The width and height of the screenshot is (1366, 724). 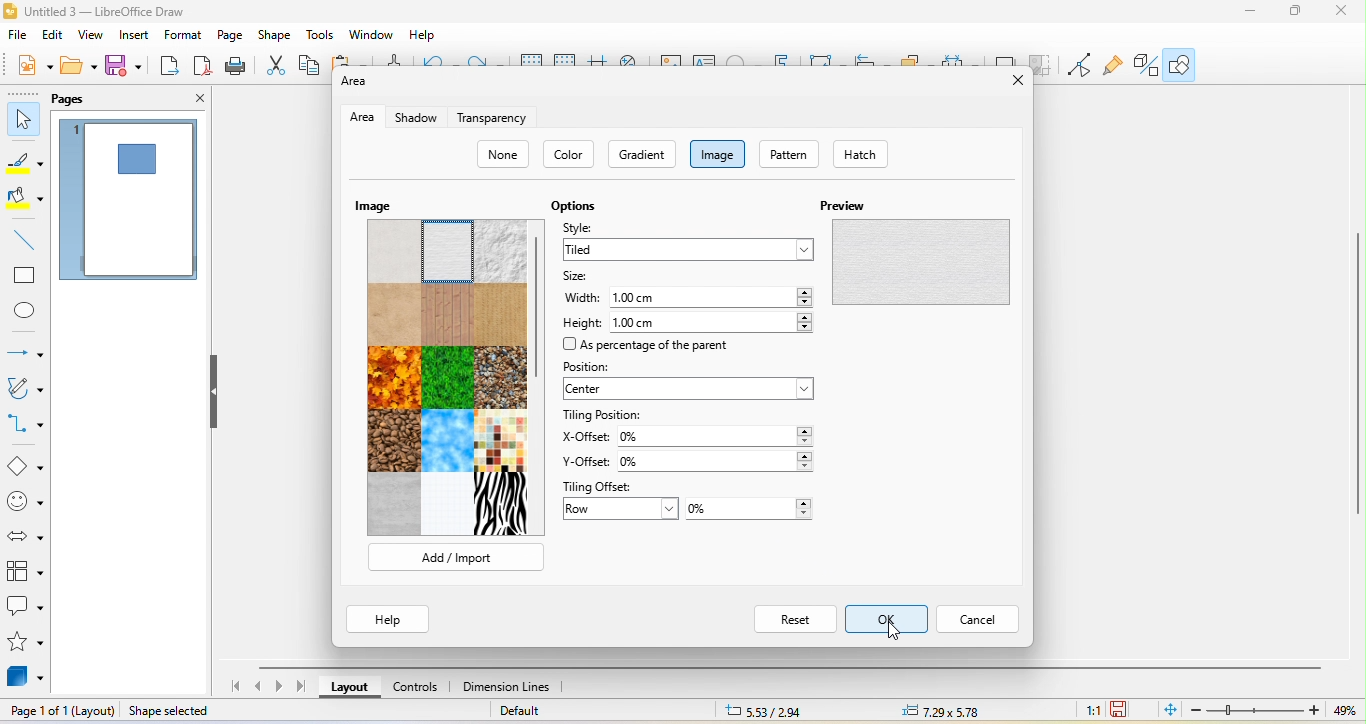 What do you see at coordinates (231, 685) in the screenshot?
I see `first page` at bounding box center [231, 685].